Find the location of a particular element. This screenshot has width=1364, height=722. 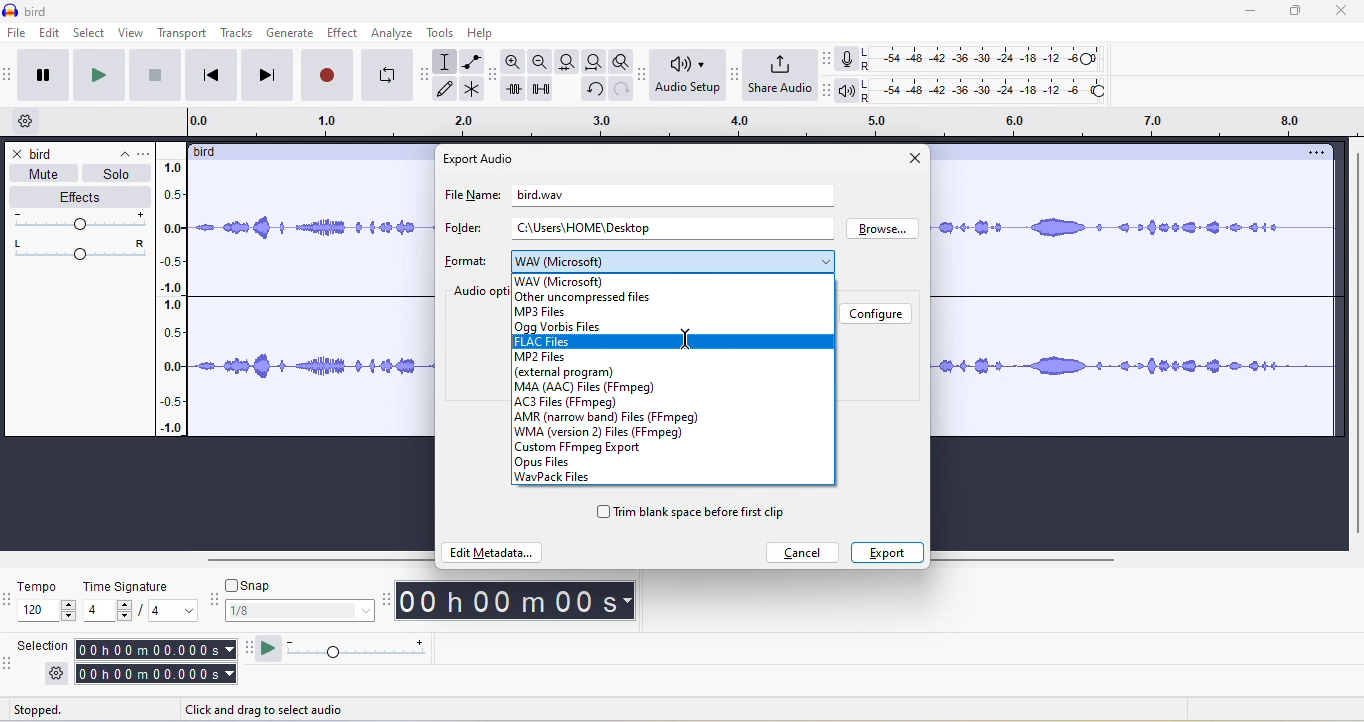

toggle snap is located at coordinates (254, 583).